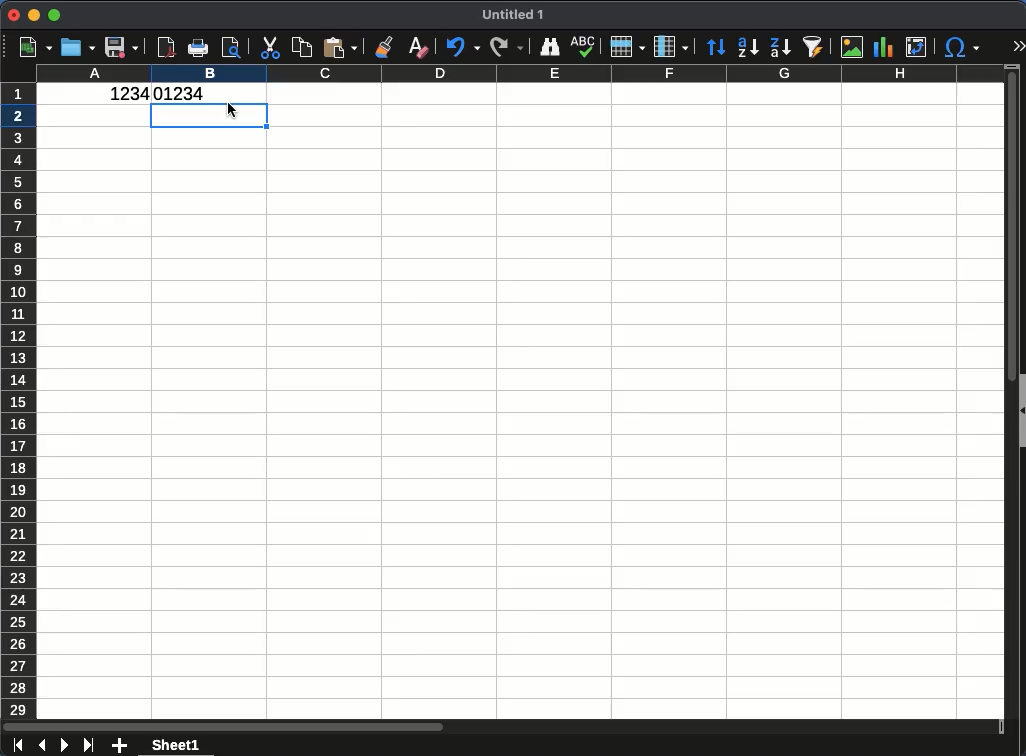 The image size is (1026, 756). Describe the element at coordinates (88, 743) in the screenshot. I see `last sheet` at that location.